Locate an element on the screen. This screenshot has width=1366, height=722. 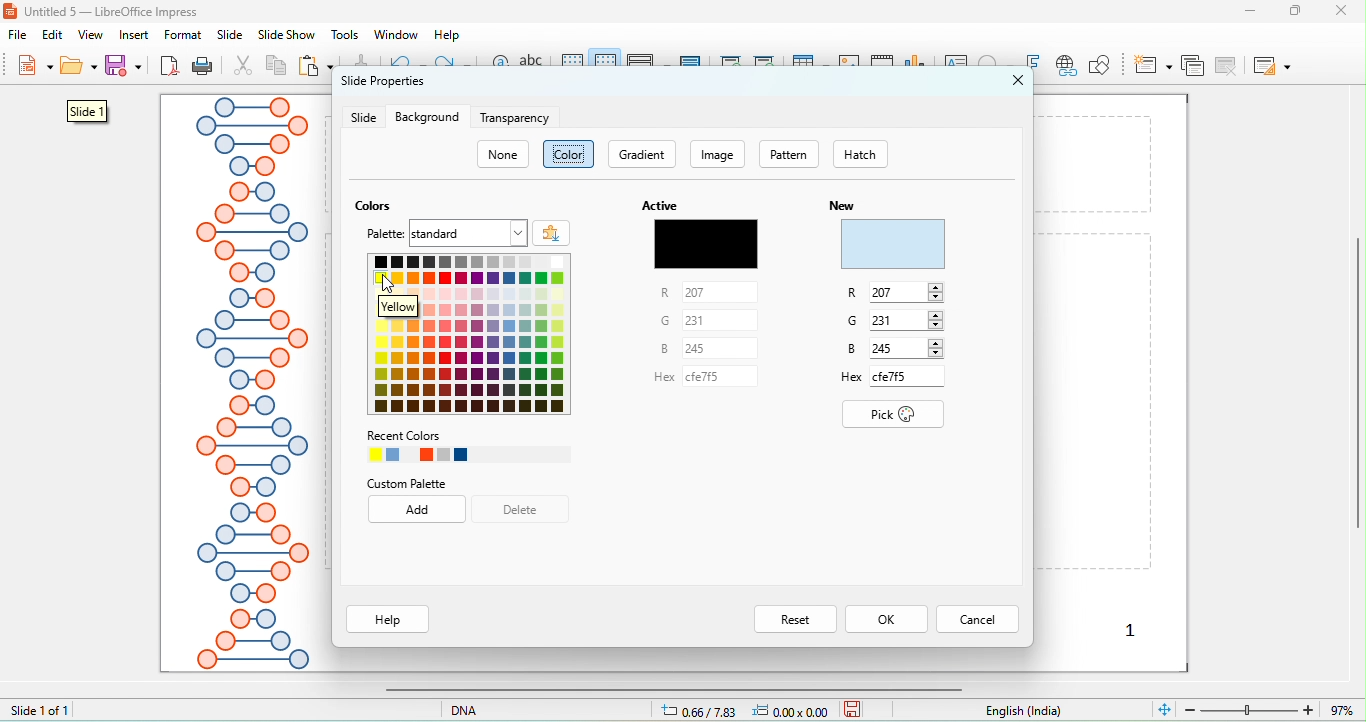
zoom is located at coordinates (1273, 708).